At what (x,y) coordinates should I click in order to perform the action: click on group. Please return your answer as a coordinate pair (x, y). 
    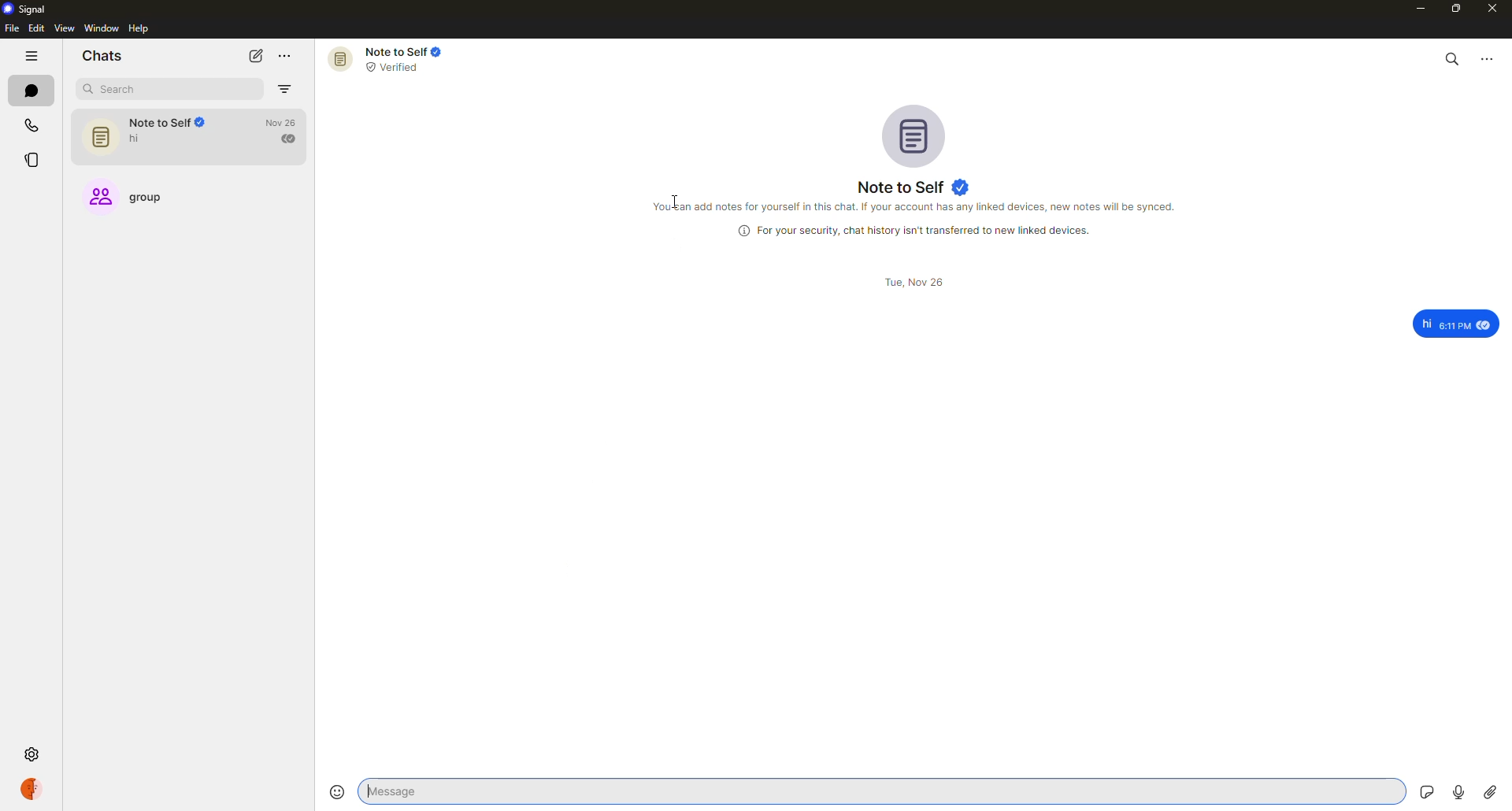
    Looking at the image, I should click on (140, 201).